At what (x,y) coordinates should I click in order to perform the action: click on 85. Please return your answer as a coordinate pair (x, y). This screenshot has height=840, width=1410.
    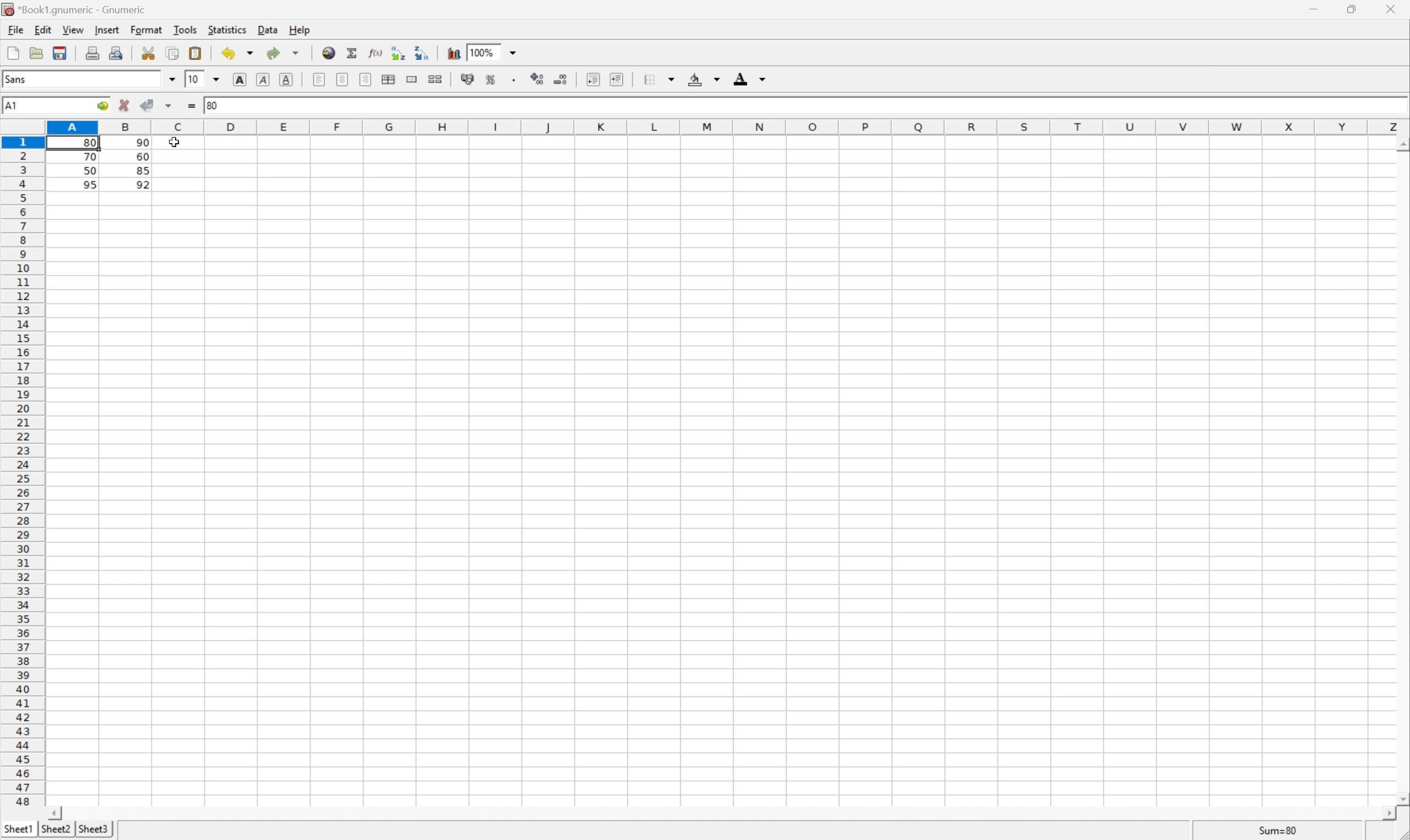
    Looking at the image, I should click on (142, 172).